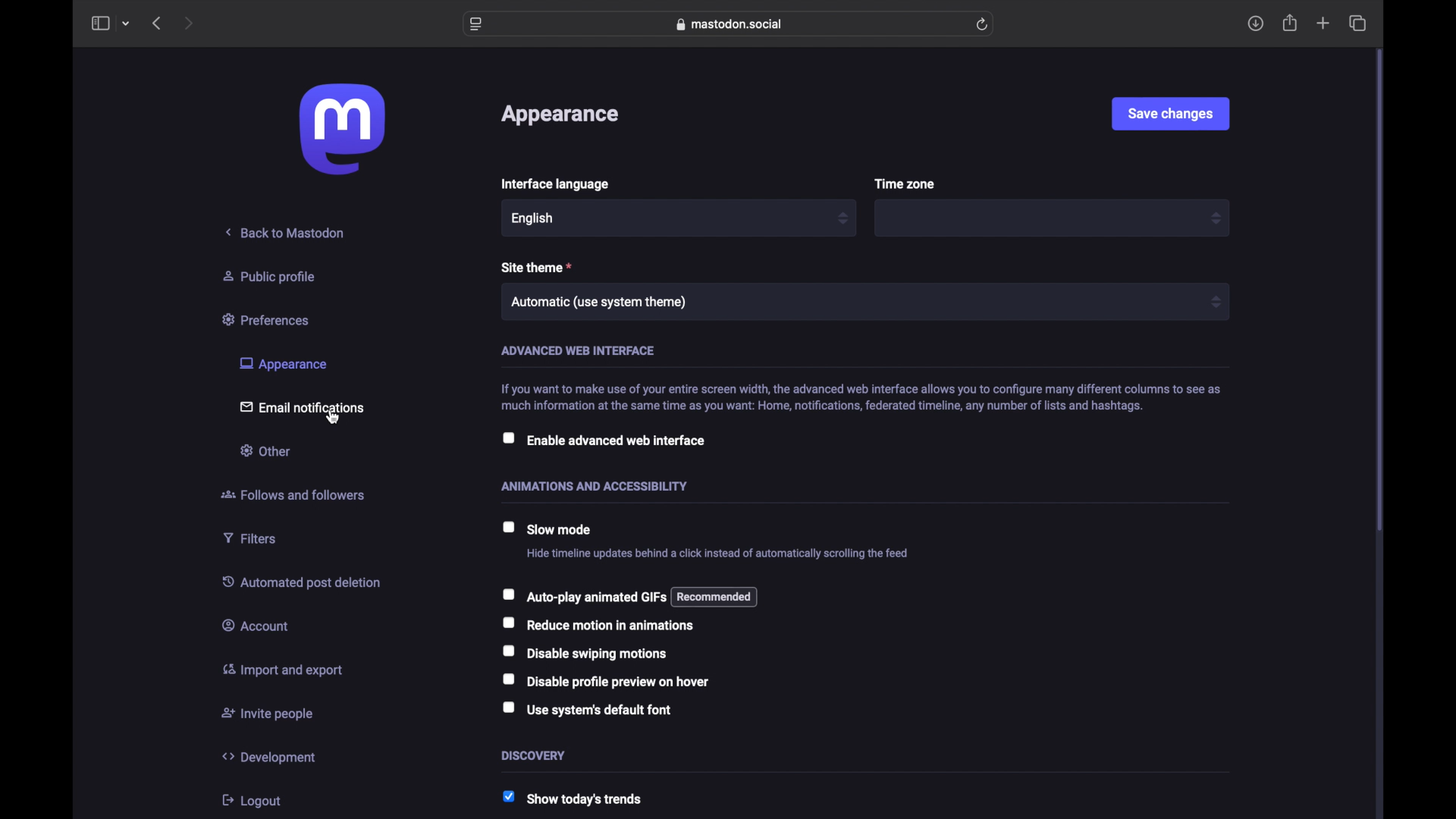  I want to click on checkbox, so click(547, 529).